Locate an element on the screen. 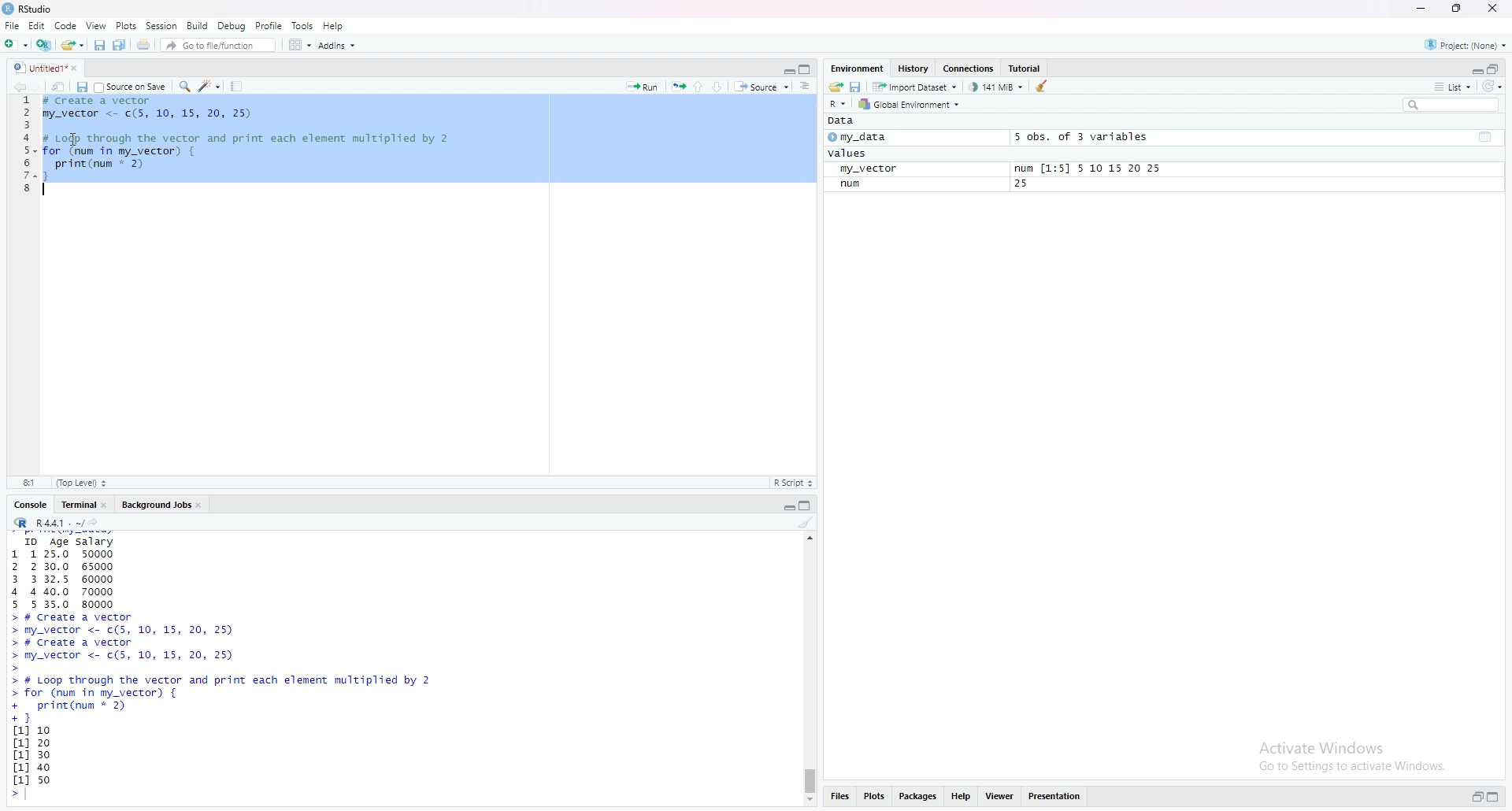 Image resolution: width=1512 pixels, height=811 pixels. clear objects from the workspace is located at coordinates (1043, 87).